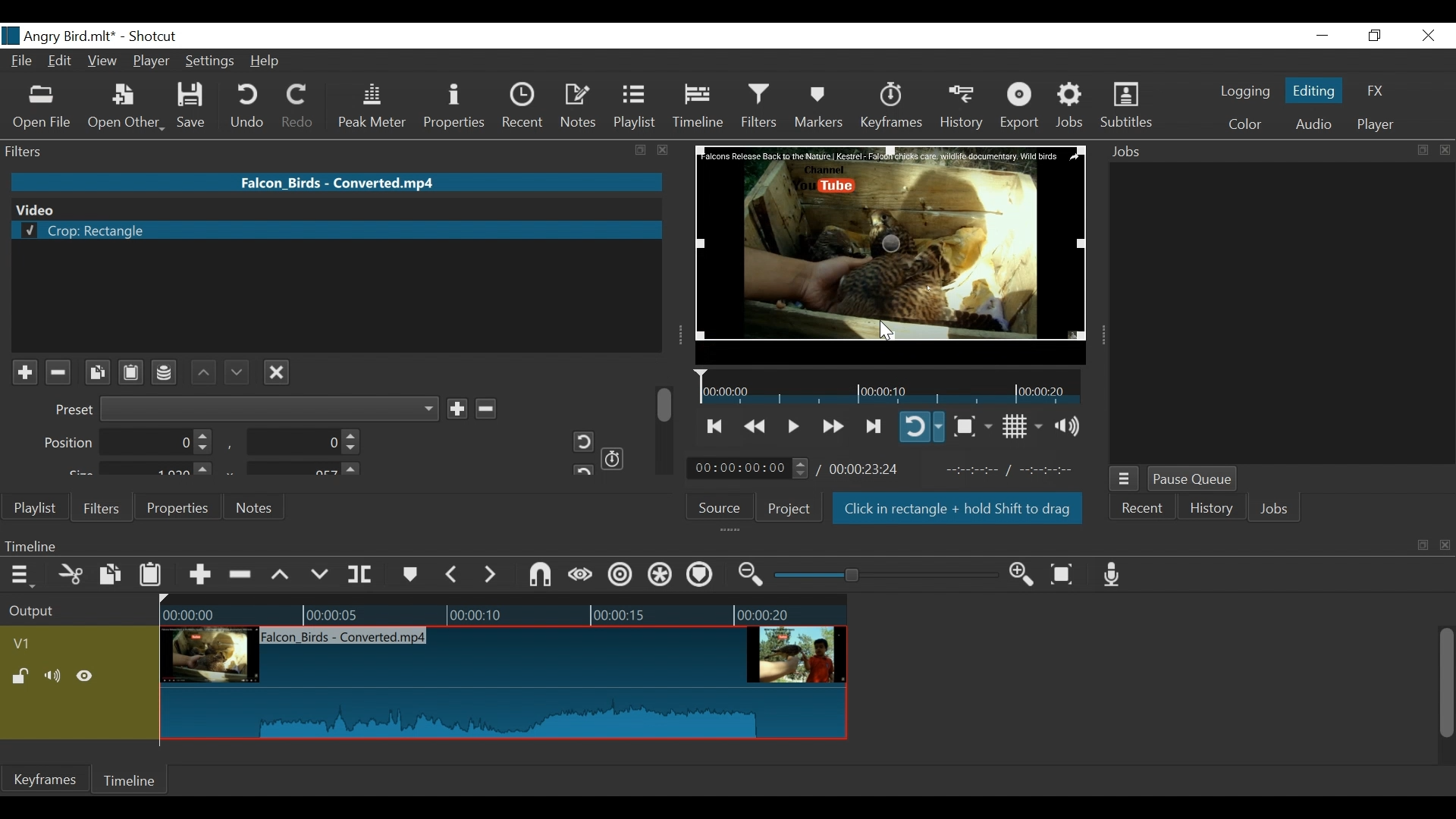 The height and width of the screenshot is (819, 1456). What do you see at coordinates (1025, 426) in the screenshot?
I see `Toggle display grid on player` at bounding box center [1025, 426].